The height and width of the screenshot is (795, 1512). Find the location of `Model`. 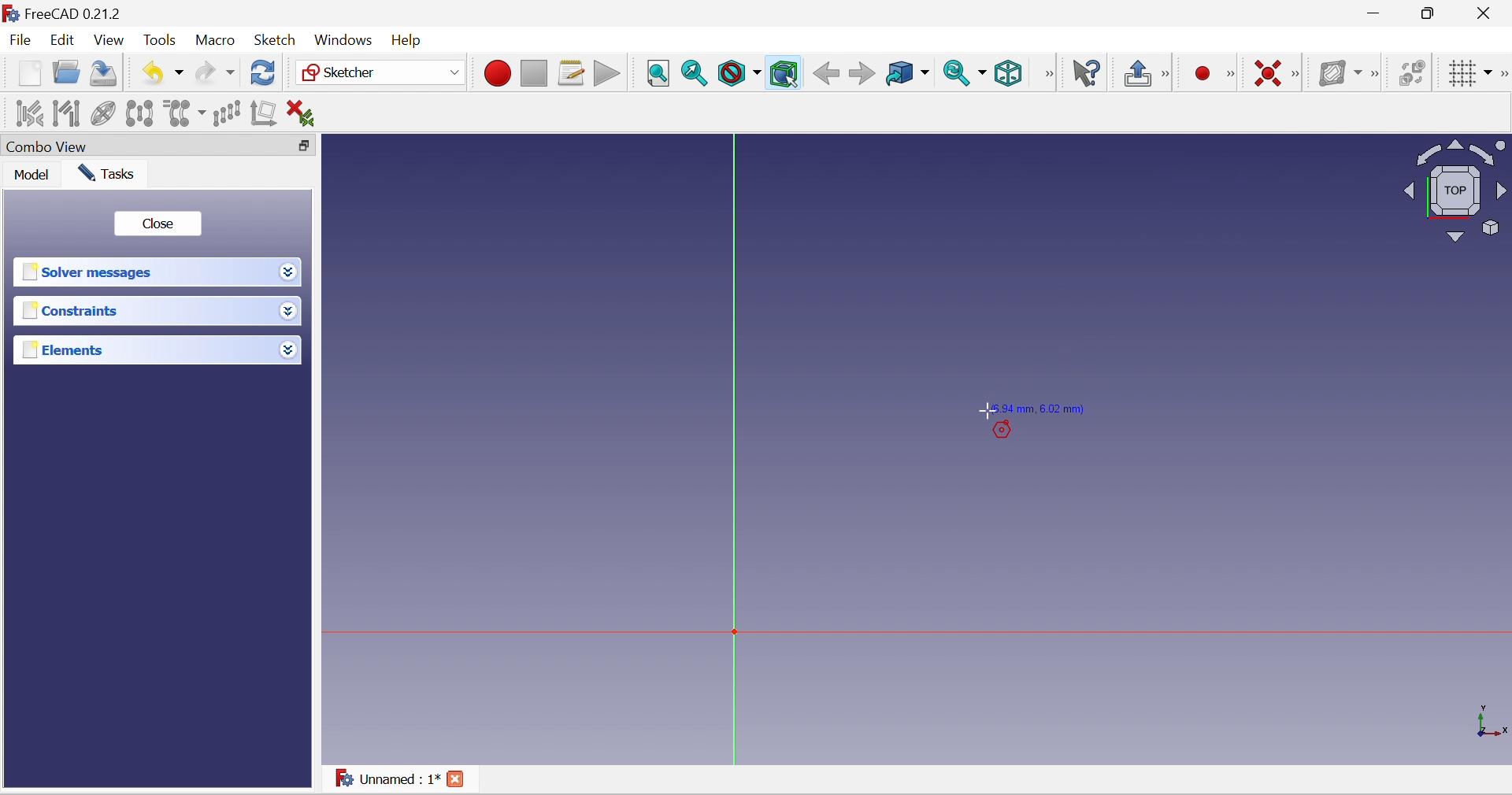

Model is located at coordinates (28, 175).